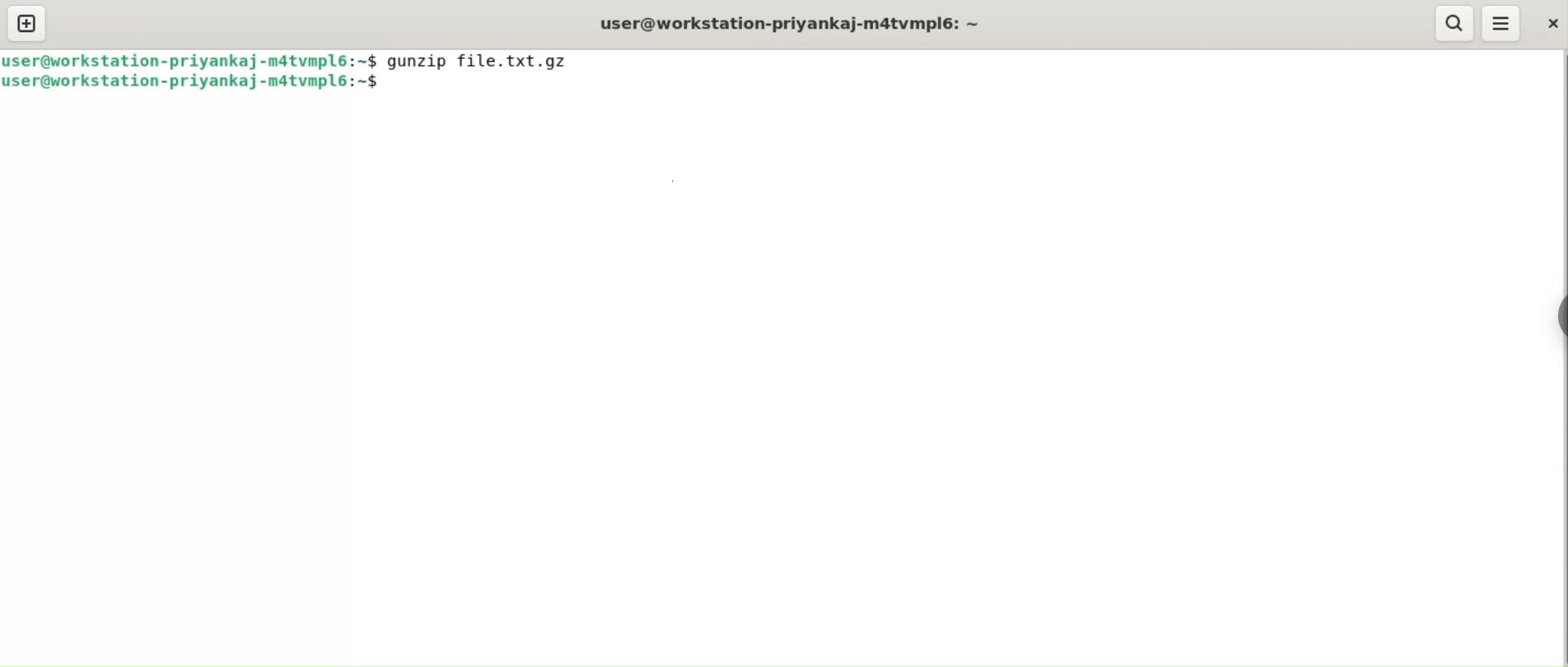  Describe the element at coordinates (384, 89) in the screenshot. I see `cursor` at that location.